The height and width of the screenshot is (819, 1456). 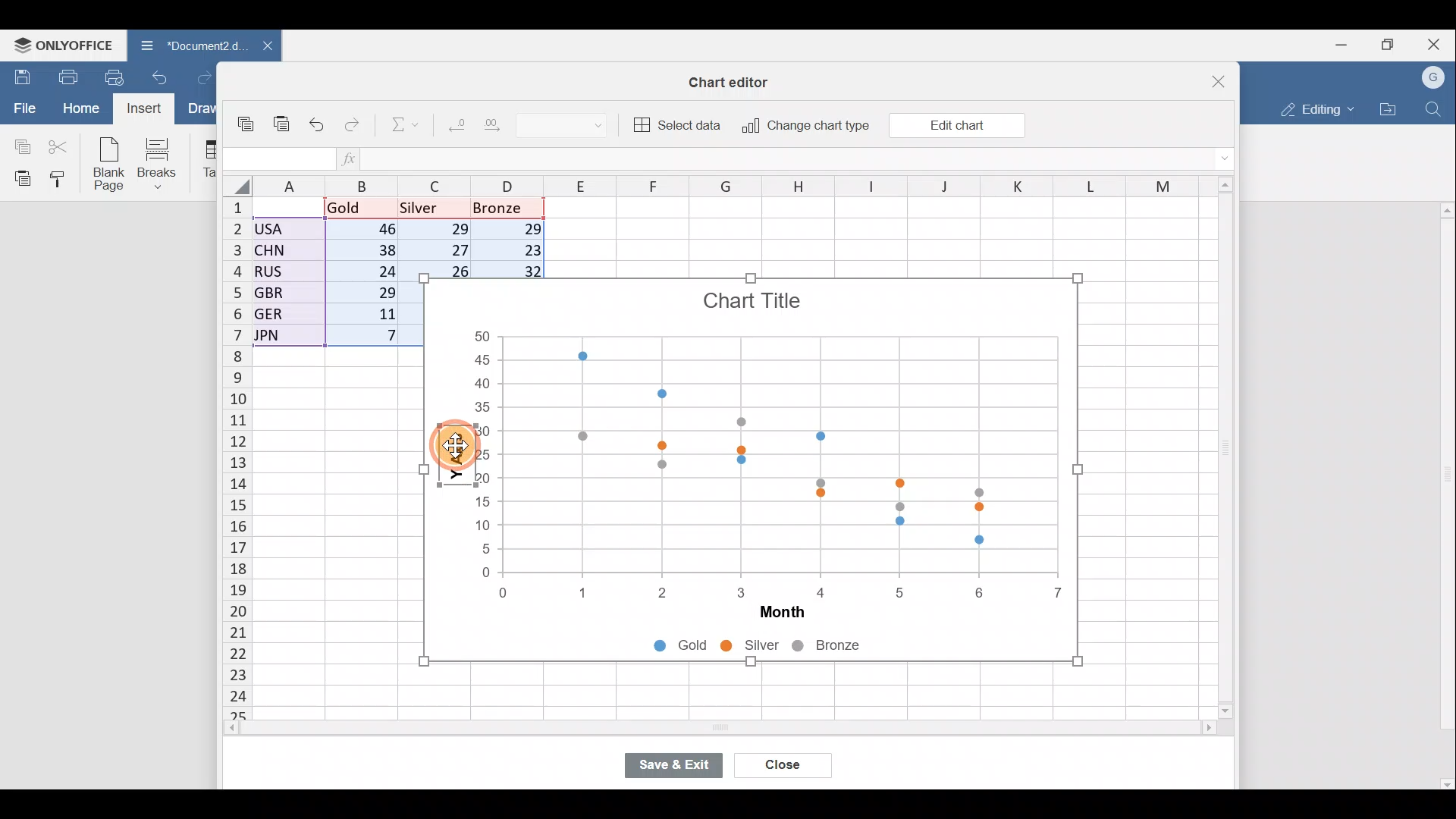 What do you see at coordinates (736, 79) in the screenshot?
I see `Chart editor` at bounding box center [736, 79].